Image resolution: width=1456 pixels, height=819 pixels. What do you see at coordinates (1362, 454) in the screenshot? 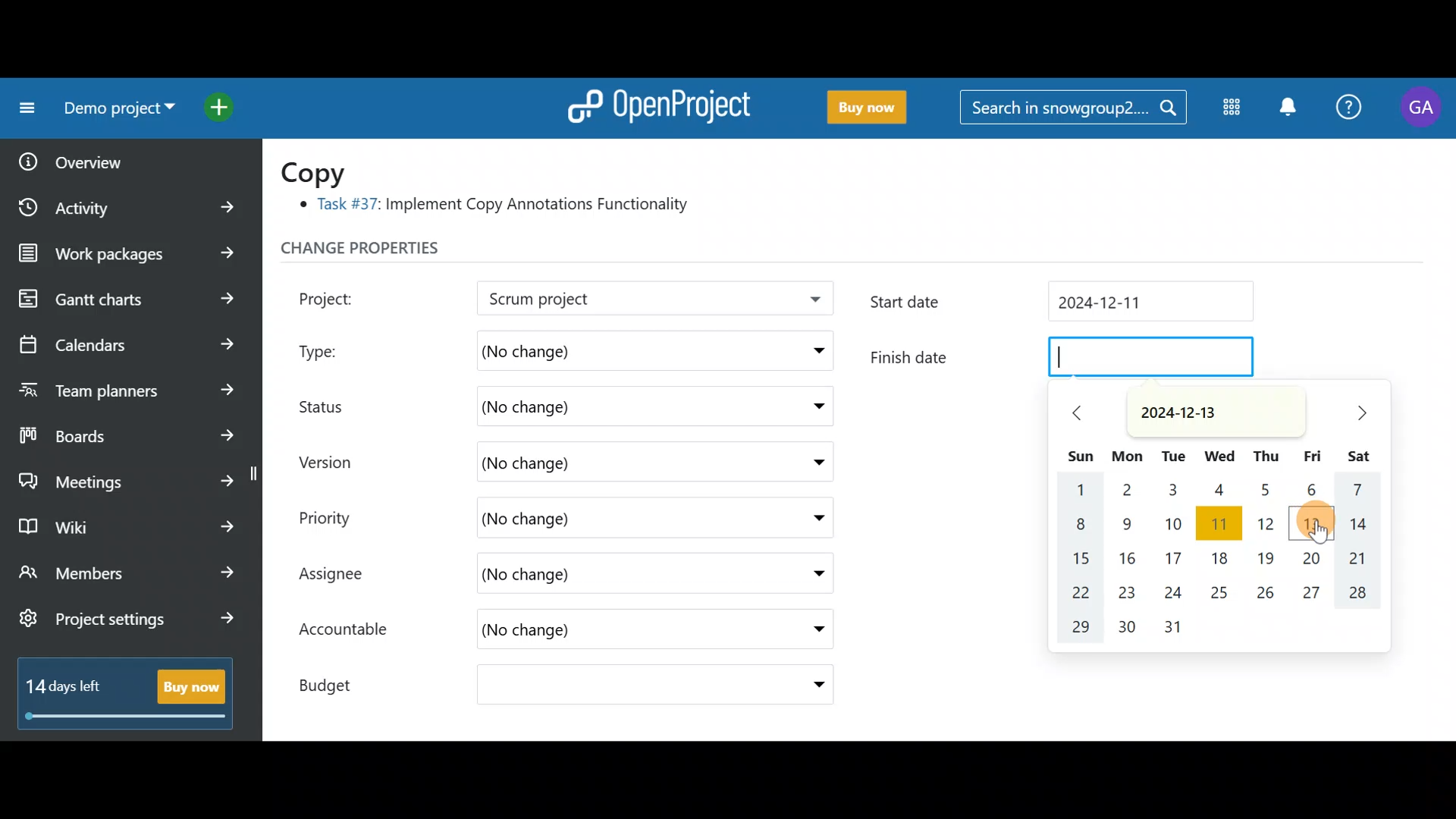
I see `Sat` at bounding box center [1362, 454].